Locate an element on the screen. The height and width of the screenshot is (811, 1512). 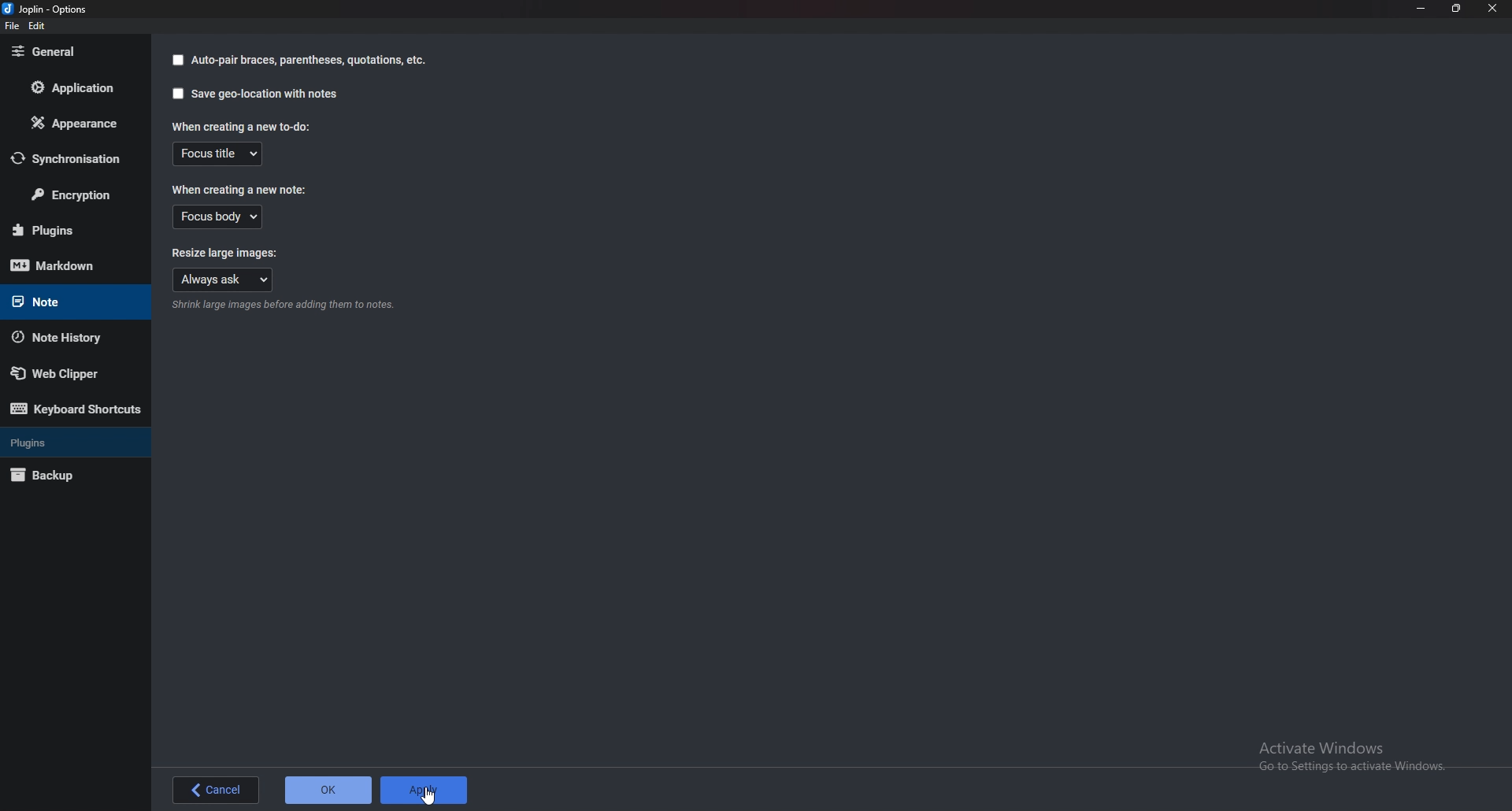
checkbox is located at coordinates (177, 94).